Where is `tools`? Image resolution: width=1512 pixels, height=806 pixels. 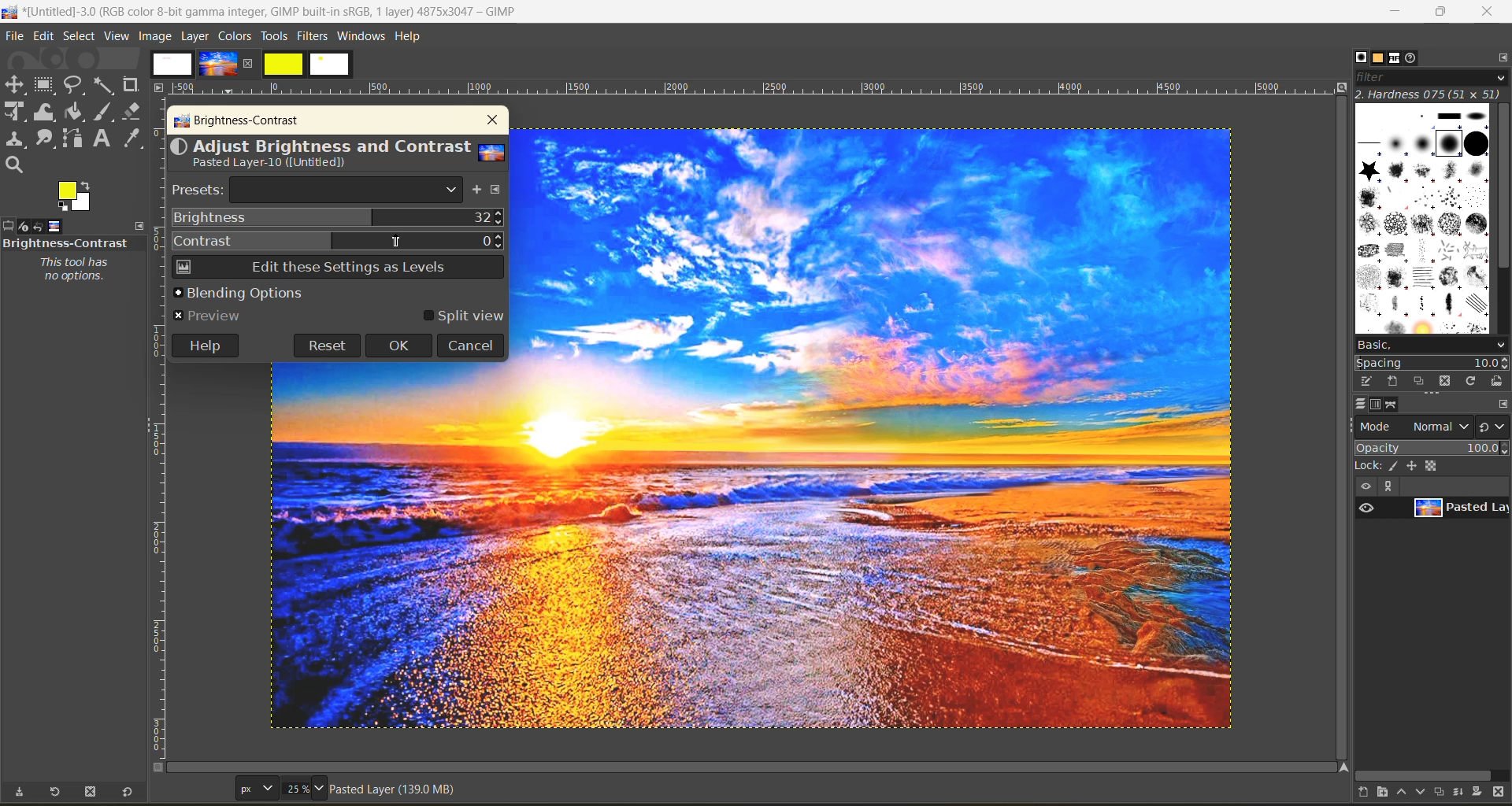 tools is located at coordinates (79, 125).